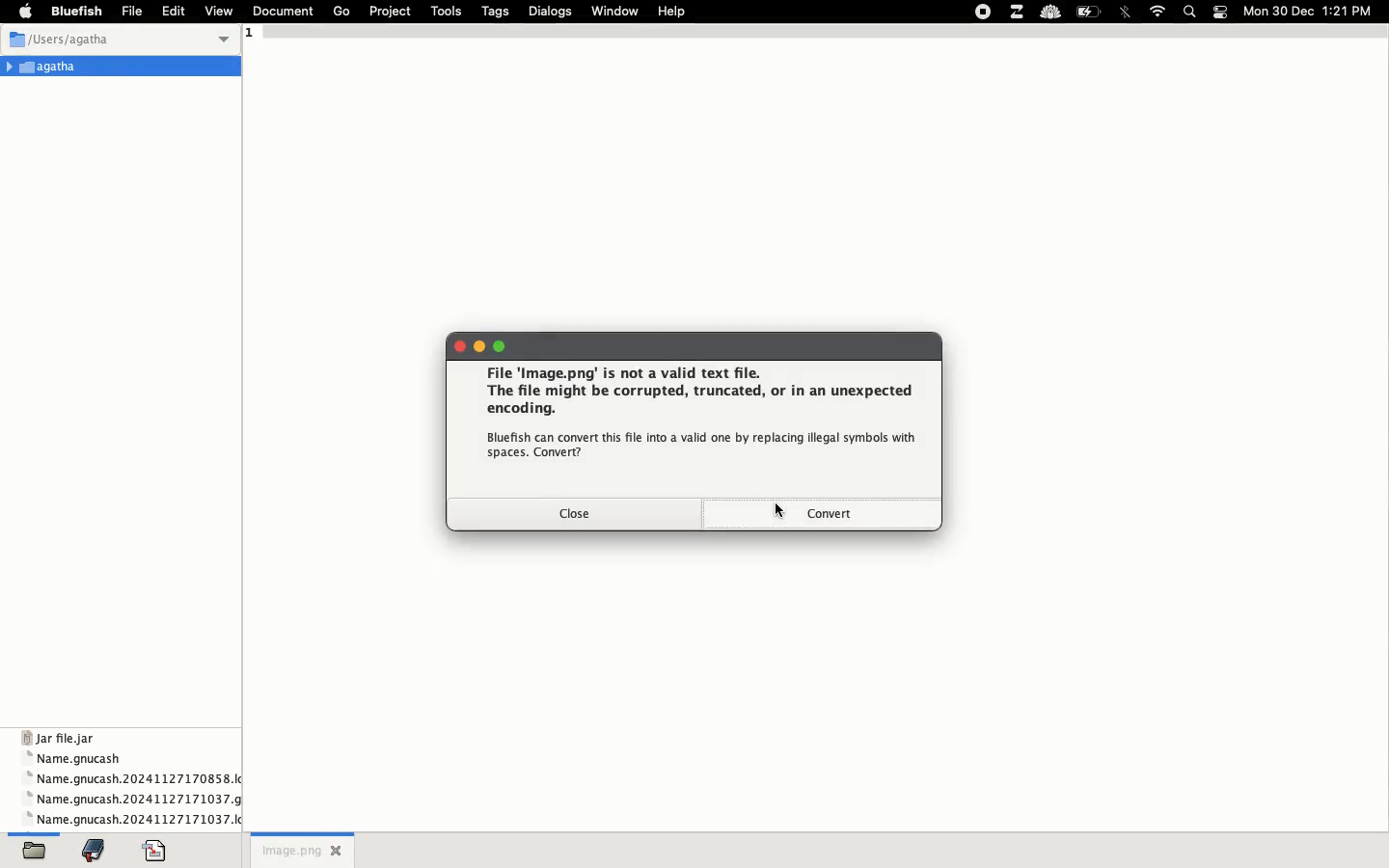  Describe the element at coordinates (134, 779) in the screenshot. I see `name gnucash` at that location.